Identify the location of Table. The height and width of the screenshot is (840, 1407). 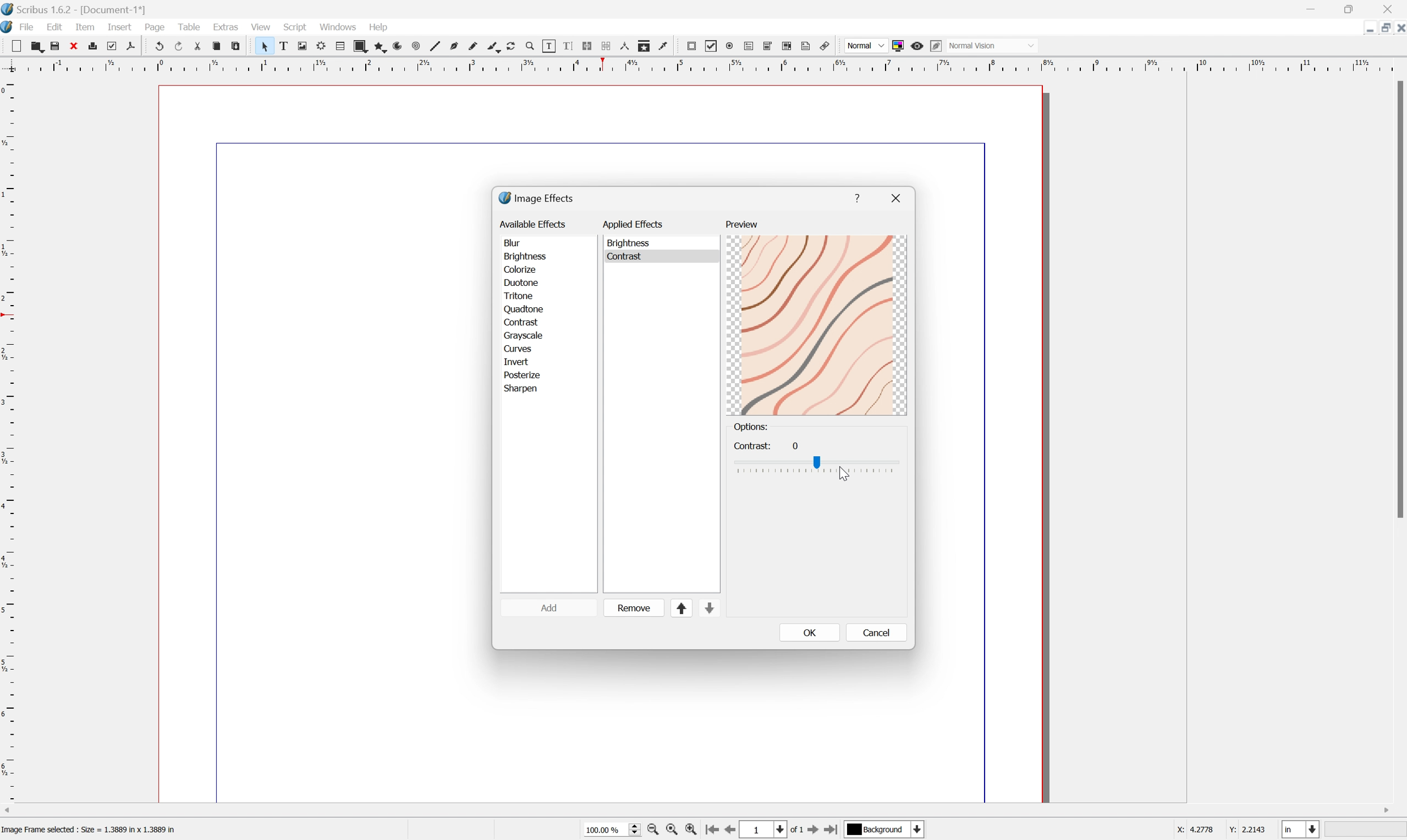
(188, 26).